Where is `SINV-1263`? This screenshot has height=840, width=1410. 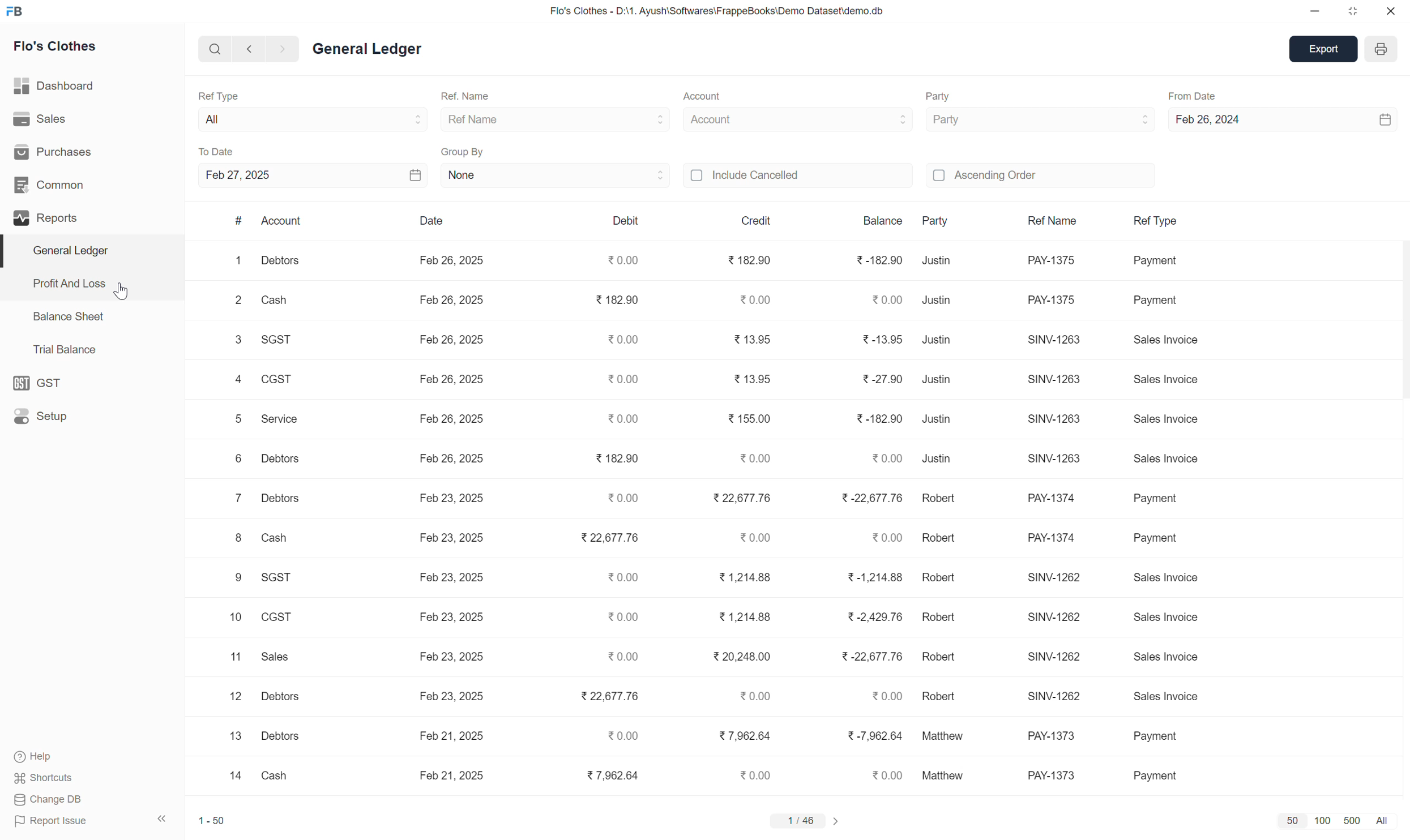 SINV-1263 is located at coordinates (1059, 379).